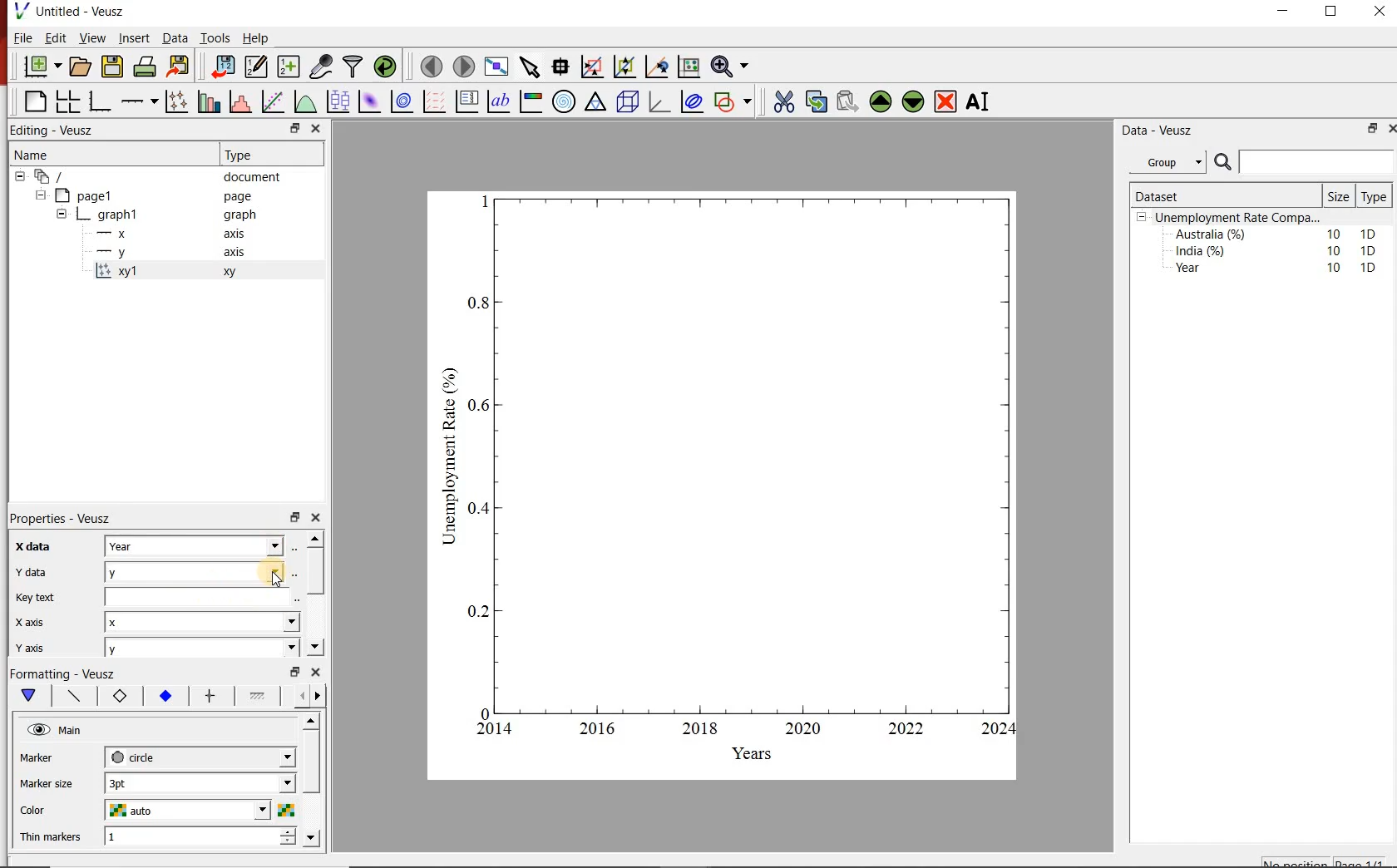 The height and width of the screenshot is (868, 1397). I want to click on select the items, so click(531, 65).